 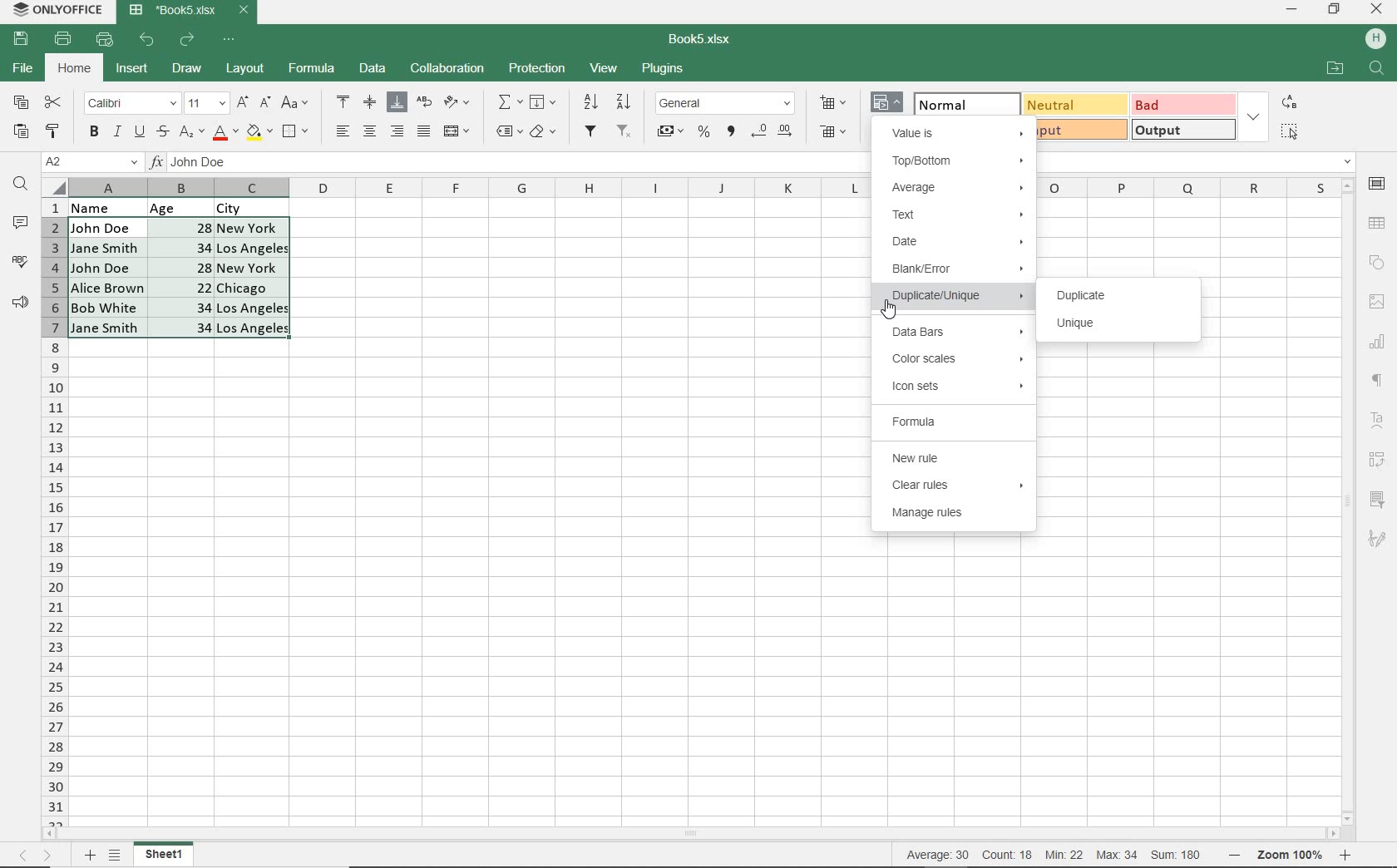 What do you see at coordinates (341, 132) in the screenshot?
I see `ALIGN LEFT` at bounding box center [341, 132].